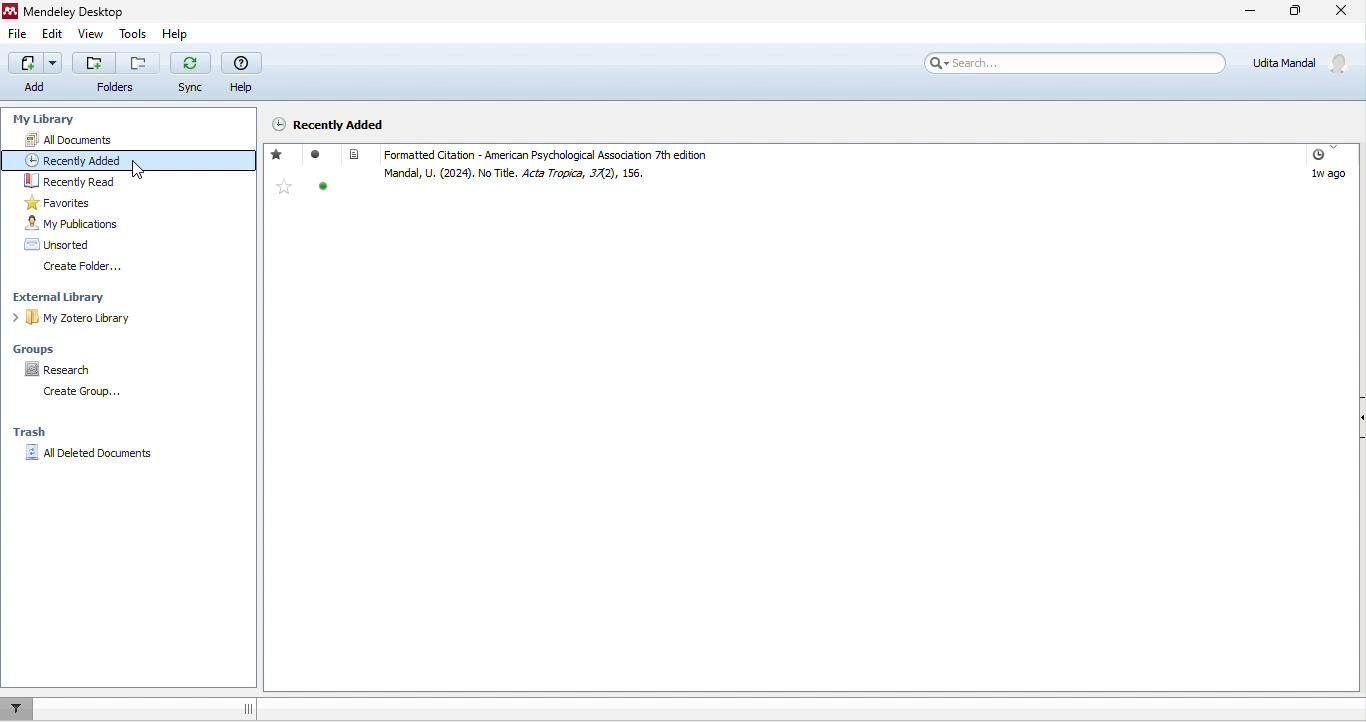 The height and width of the screenshot is (722, 1366). I want to click on Groups, so click(41, 350).